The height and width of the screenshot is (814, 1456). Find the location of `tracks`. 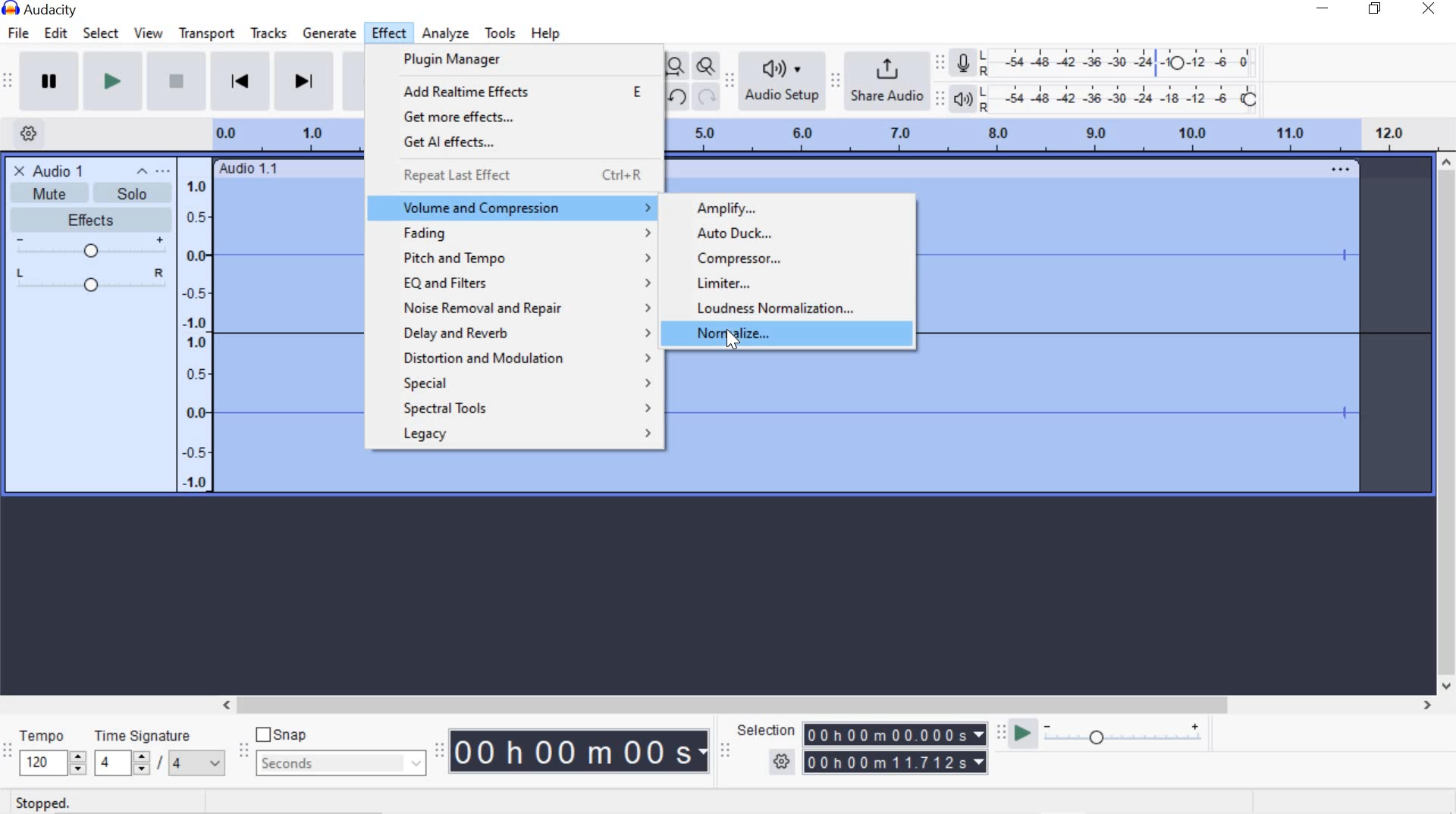

tracks is located at coordinates (268, 35).